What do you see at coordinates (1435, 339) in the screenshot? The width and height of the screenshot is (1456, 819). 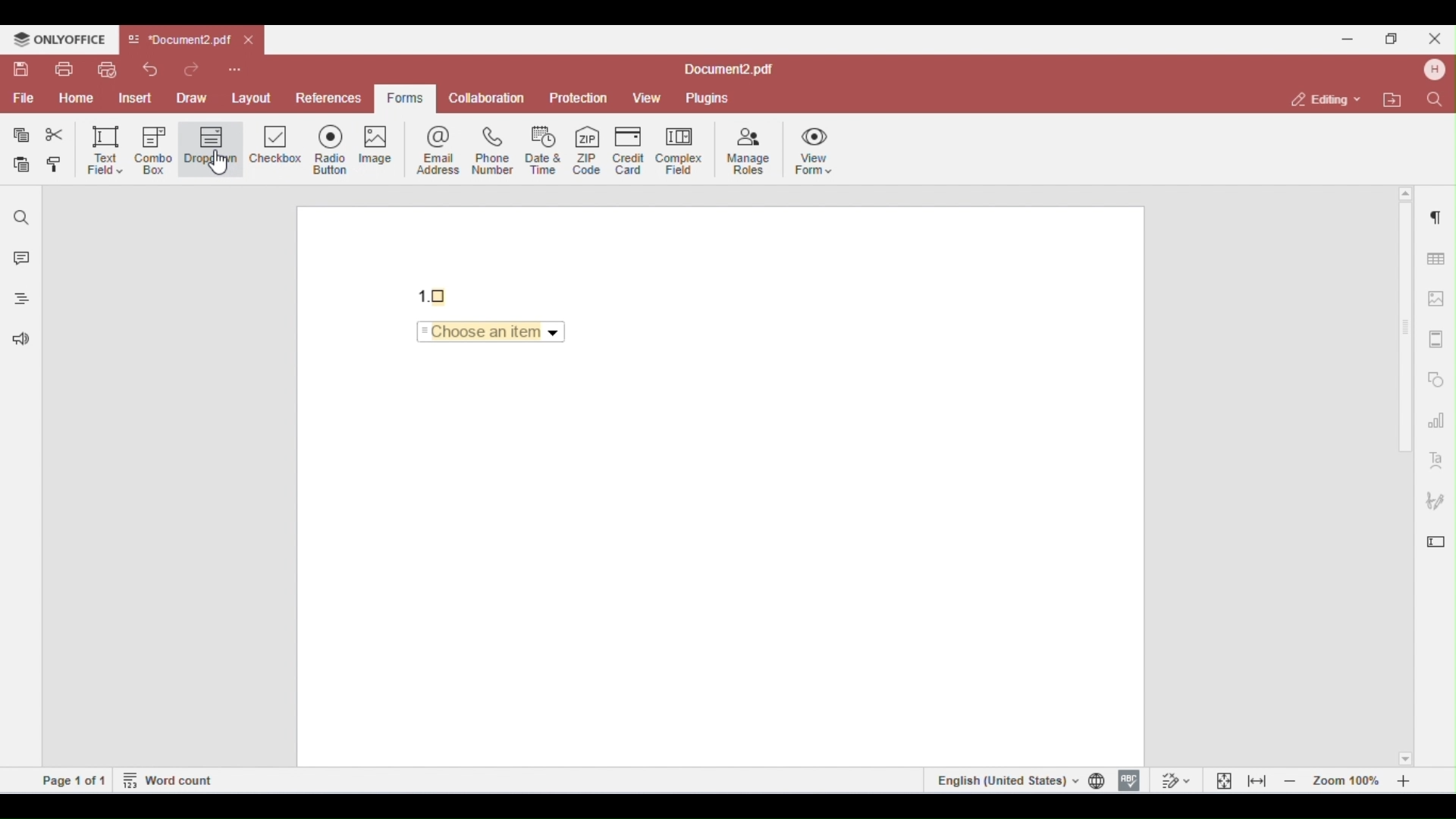 I see `header and footer settings` at bounding box center [1435, 339].